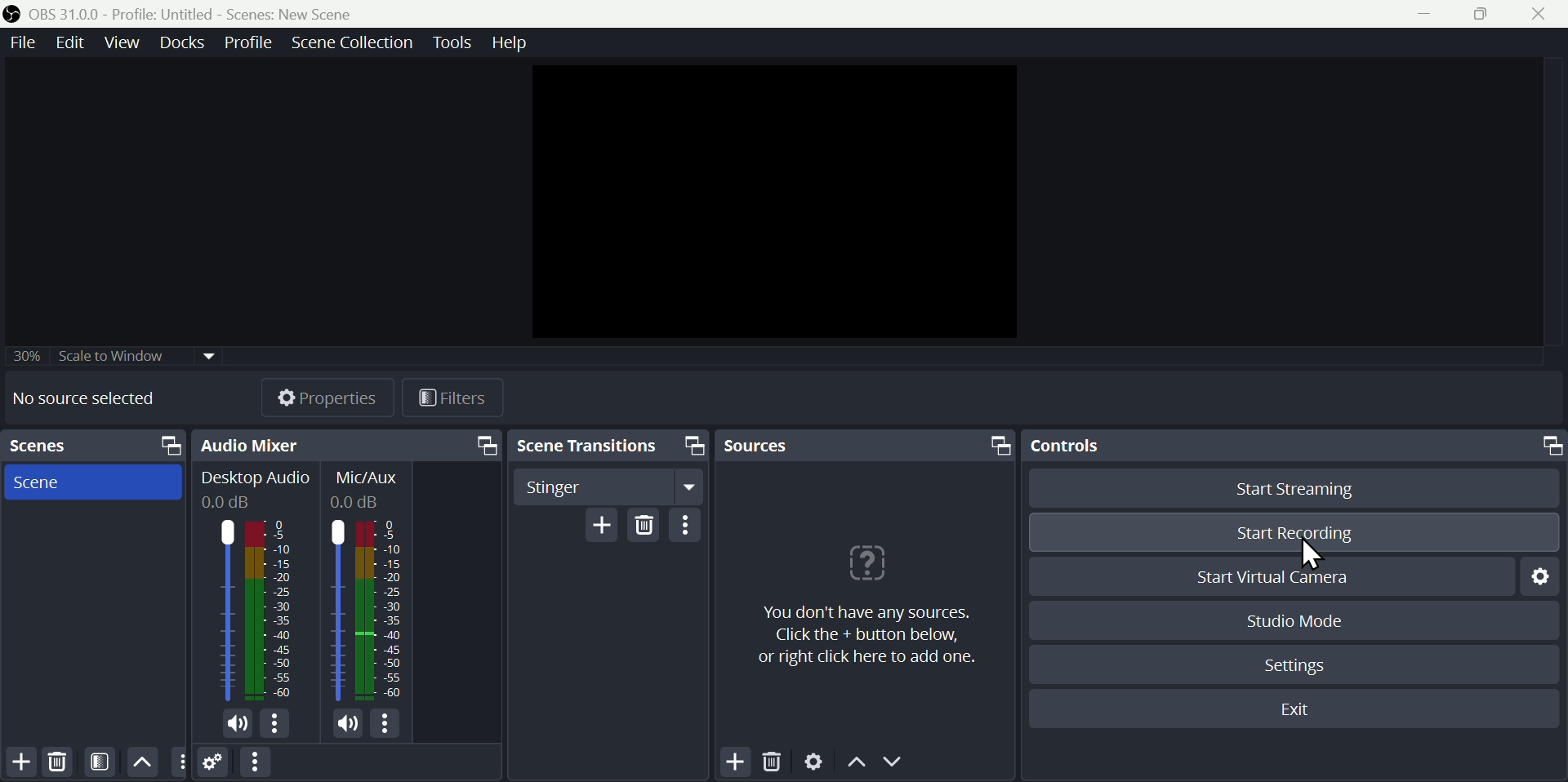 The height and width of the screenshot is (782, 1568). What do you see at coordinates (603, 527) in the screenshot?
I see `Add` at bounding box center [603, 527].